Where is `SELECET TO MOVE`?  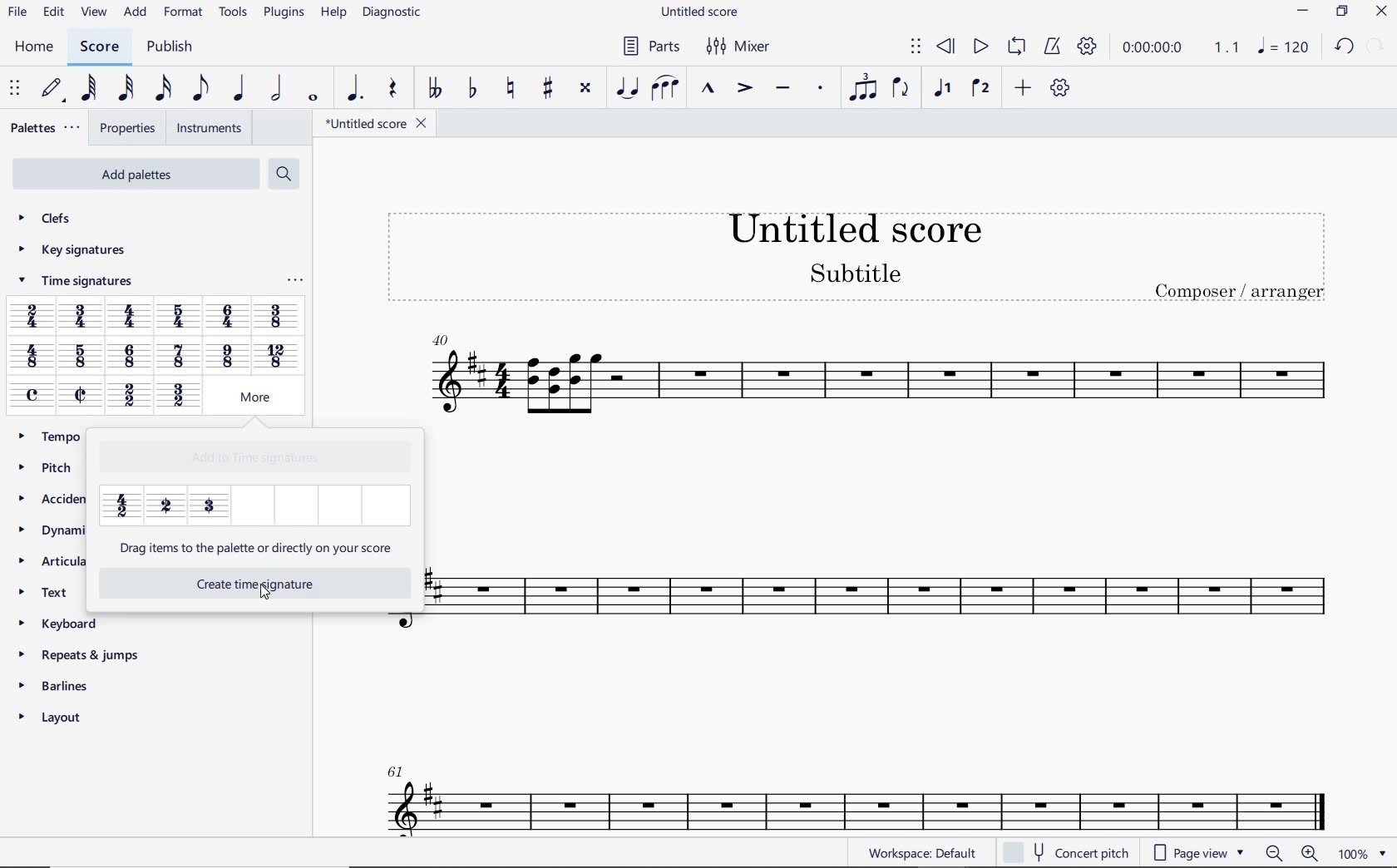 SELECET TO MOVE is located at coordinates (17, 90).